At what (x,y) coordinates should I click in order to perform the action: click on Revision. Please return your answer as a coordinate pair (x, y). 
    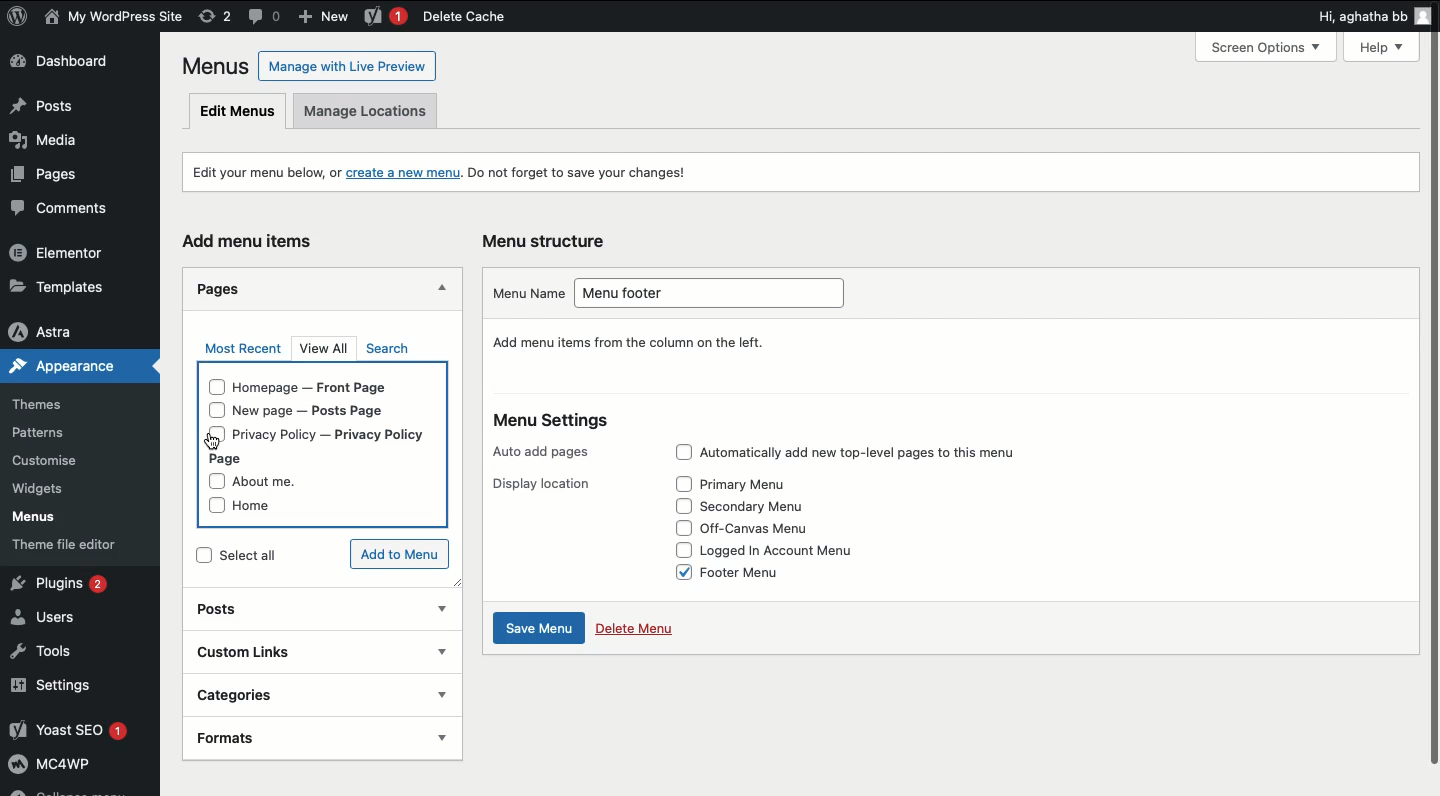
    Looking at the image, I should click on (215, 17).